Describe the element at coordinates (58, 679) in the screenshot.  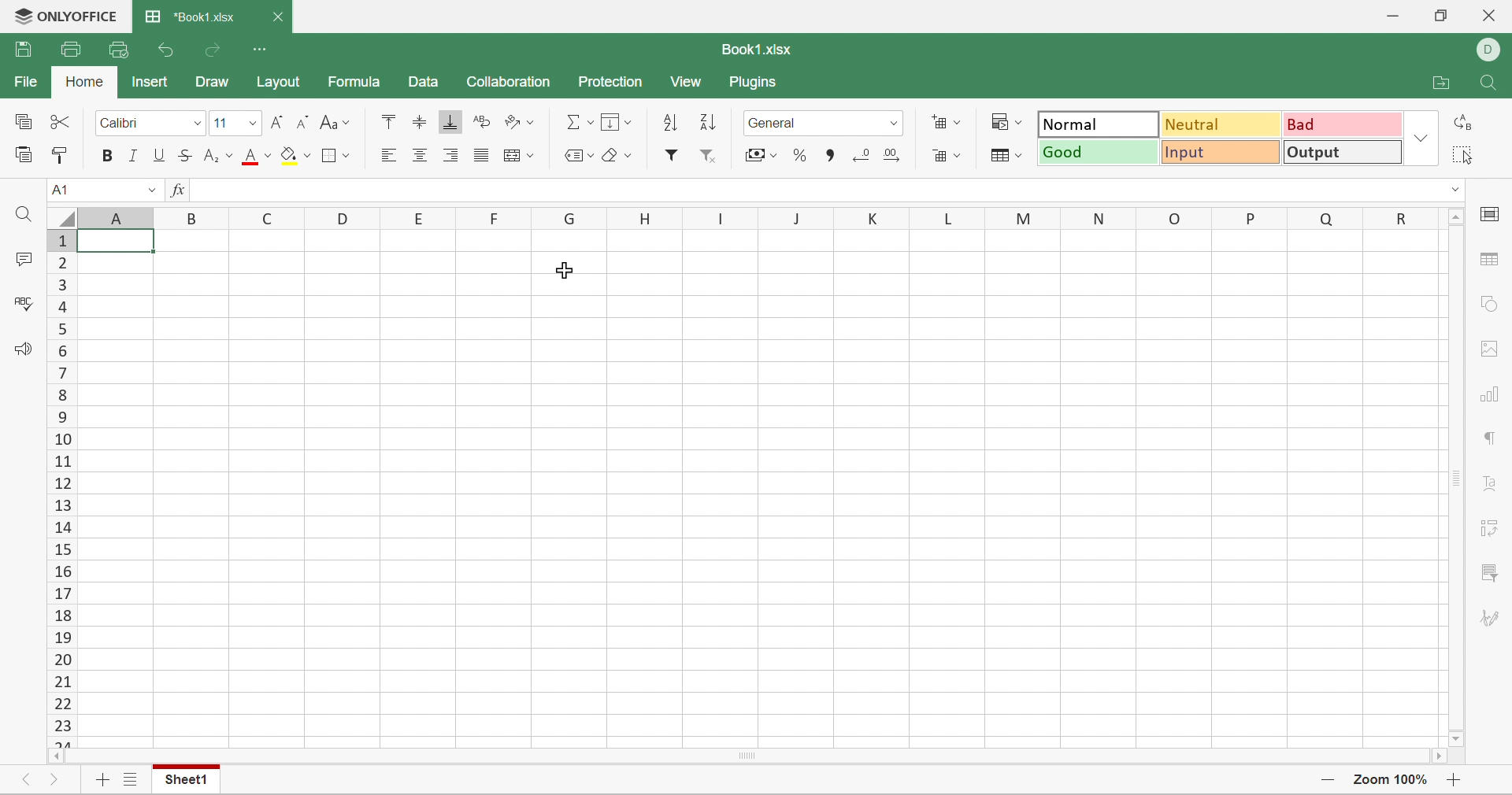
I see `21` at that location.